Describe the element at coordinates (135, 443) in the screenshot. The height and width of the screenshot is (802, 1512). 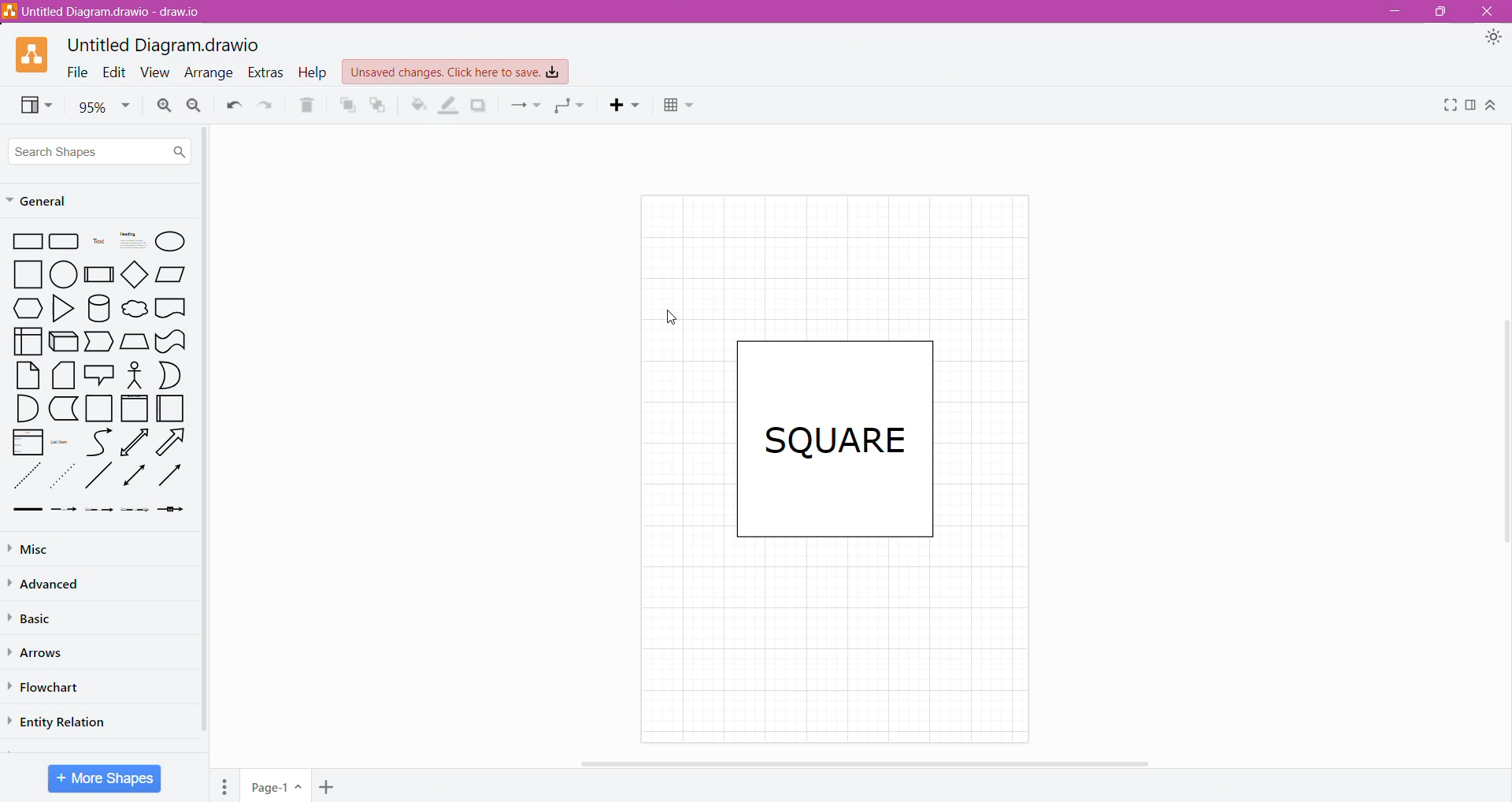
I see `Upward Arrow ` at that location.